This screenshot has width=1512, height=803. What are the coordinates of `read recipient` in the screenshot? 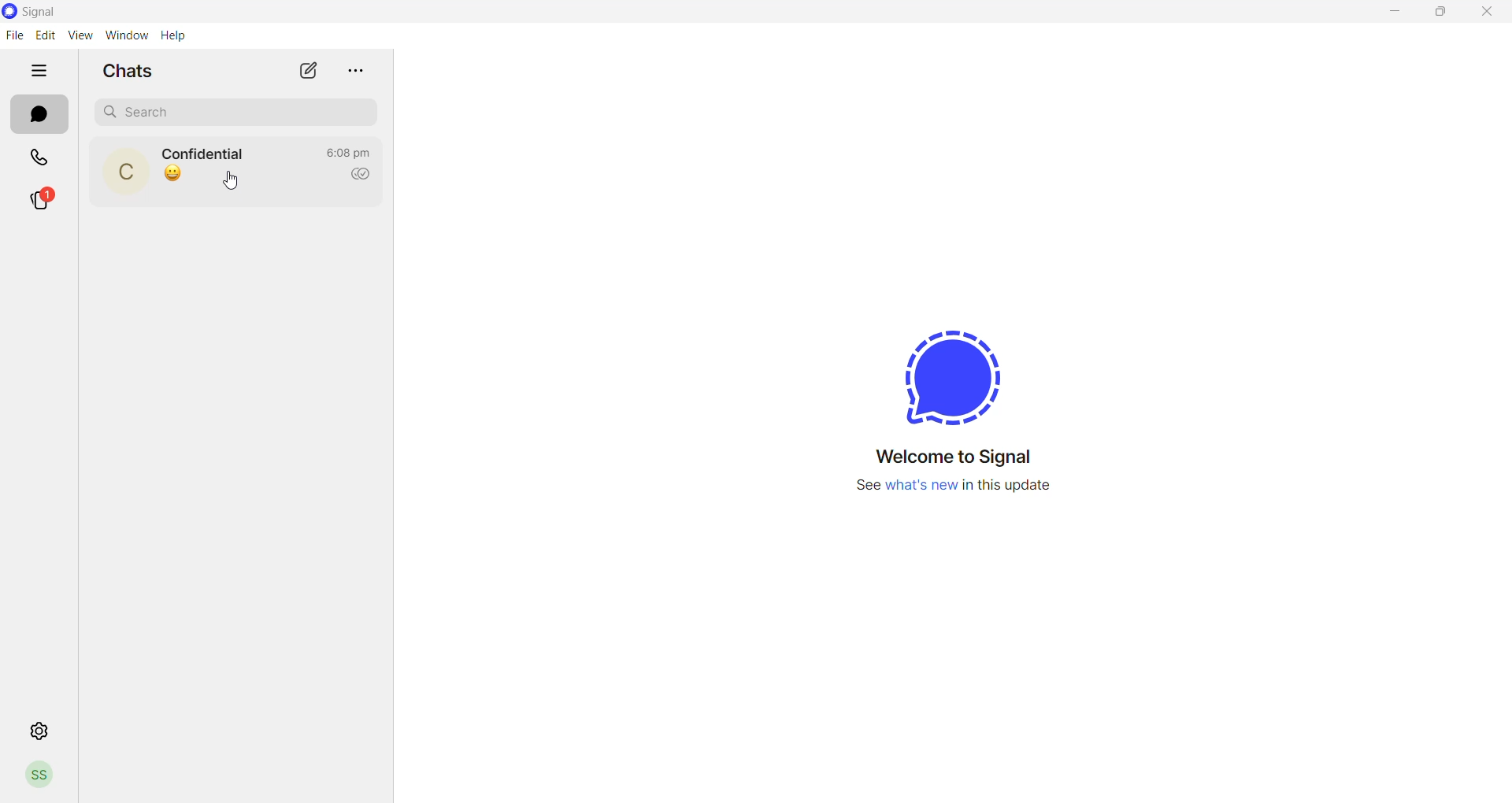 It's located at (358, 176).